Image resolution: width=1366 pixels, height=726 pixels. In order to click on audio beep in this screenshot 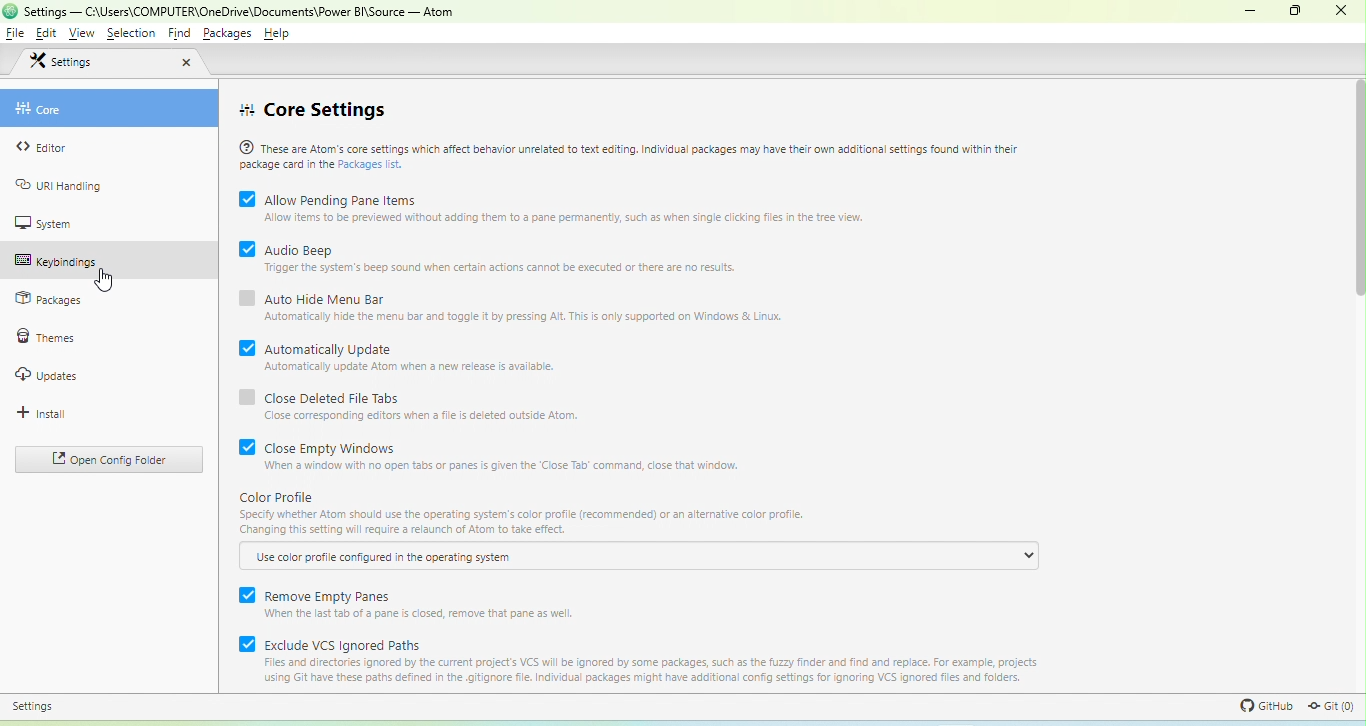, I will do `click(286, 248)`.